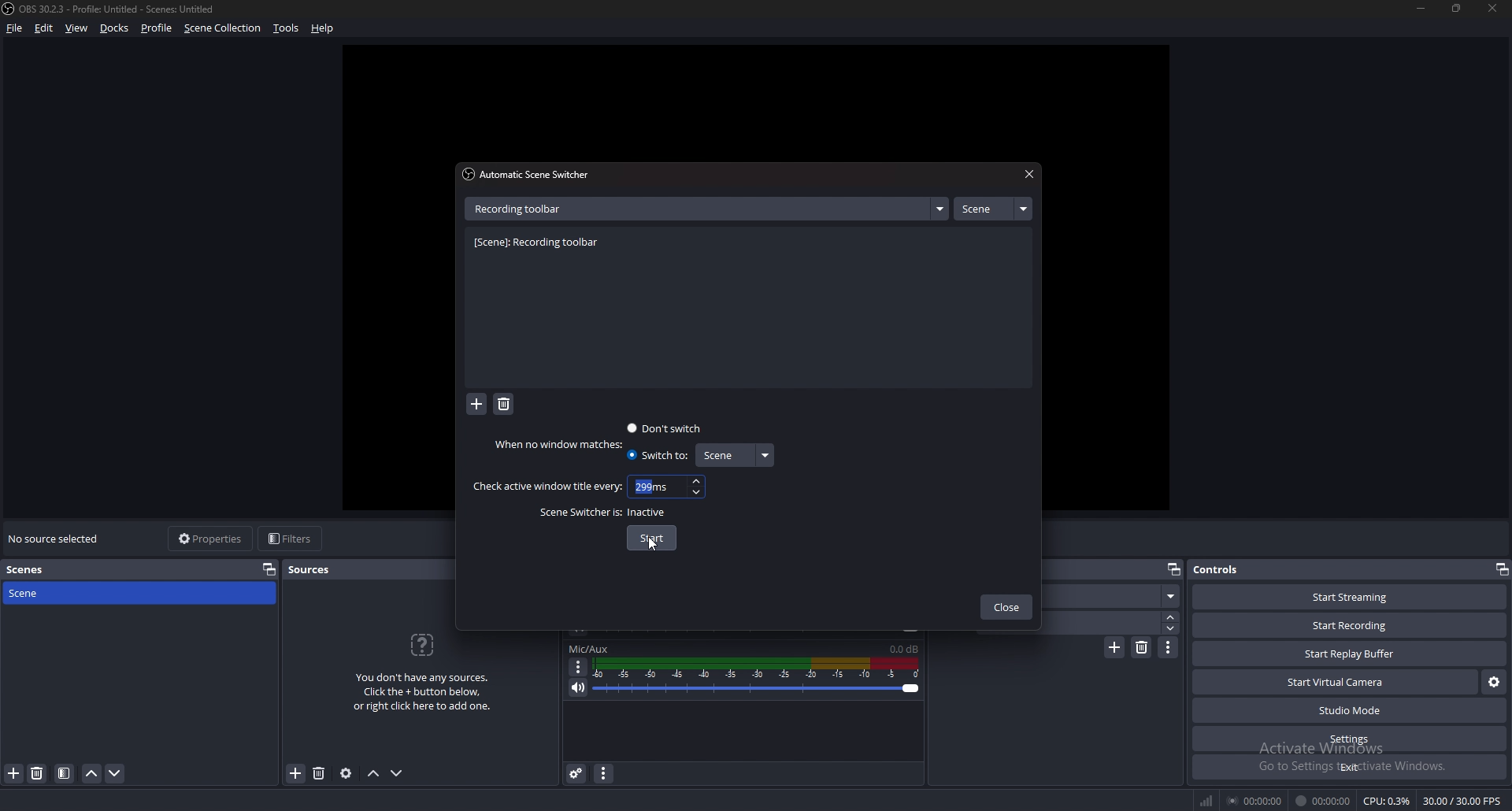 The image size is (1512, 811). I want to click on remove scene, so click(37, 773).